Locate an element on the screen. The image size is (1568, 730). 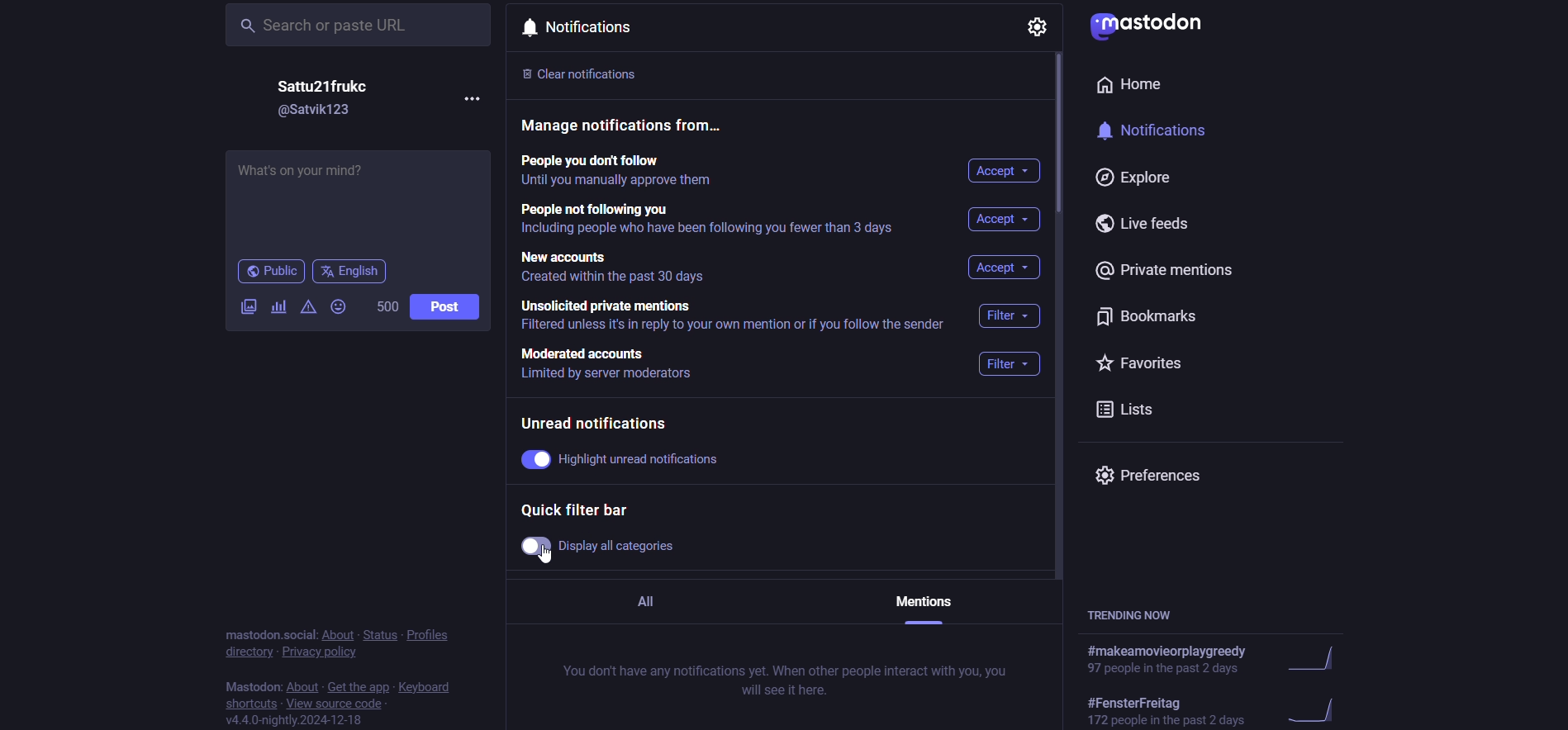
unsolicited private mentions Filtered unless it's in reply to your own mention or if you follow the sender is located at coordinates (738, 318).